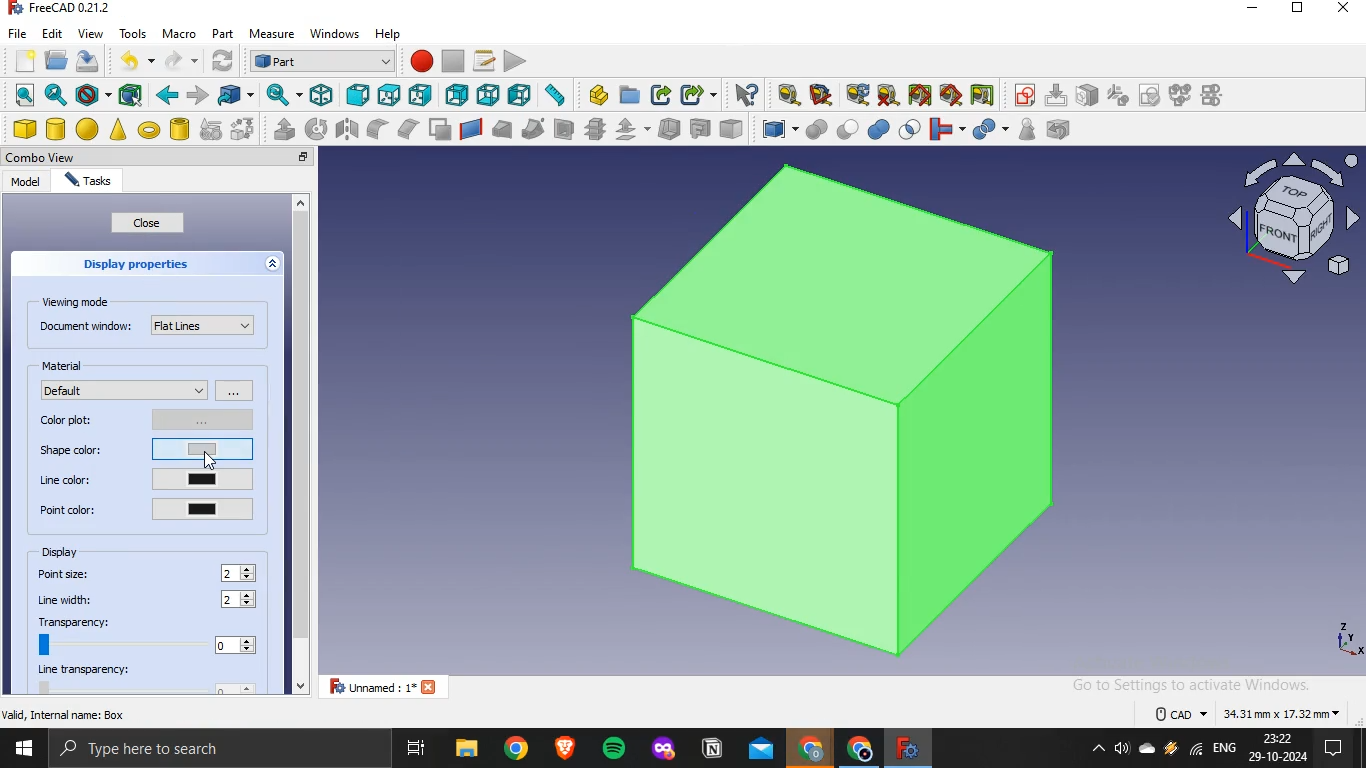  I want to click on help, so click(389, 33).